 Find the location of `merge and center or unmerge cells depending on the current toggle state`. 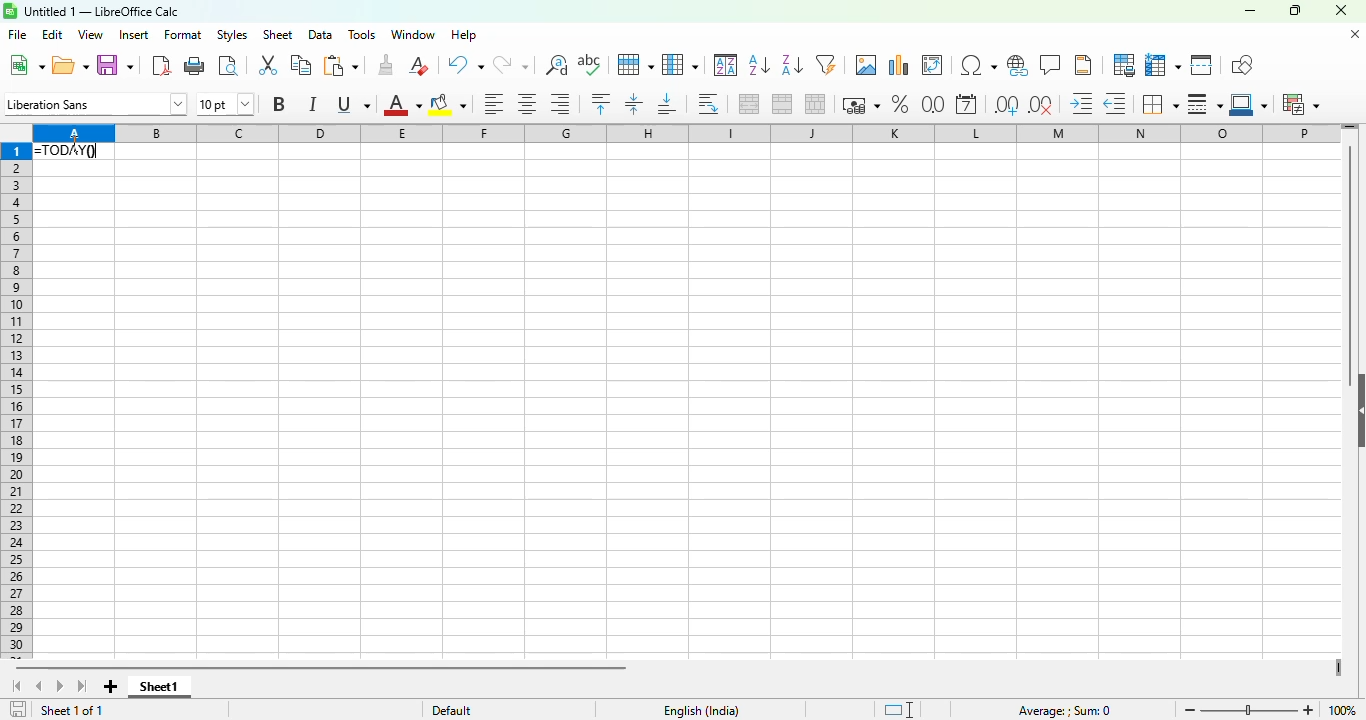

merge and center or unmerge cells depending on the current toggle state is located at coordinates (750, 104).